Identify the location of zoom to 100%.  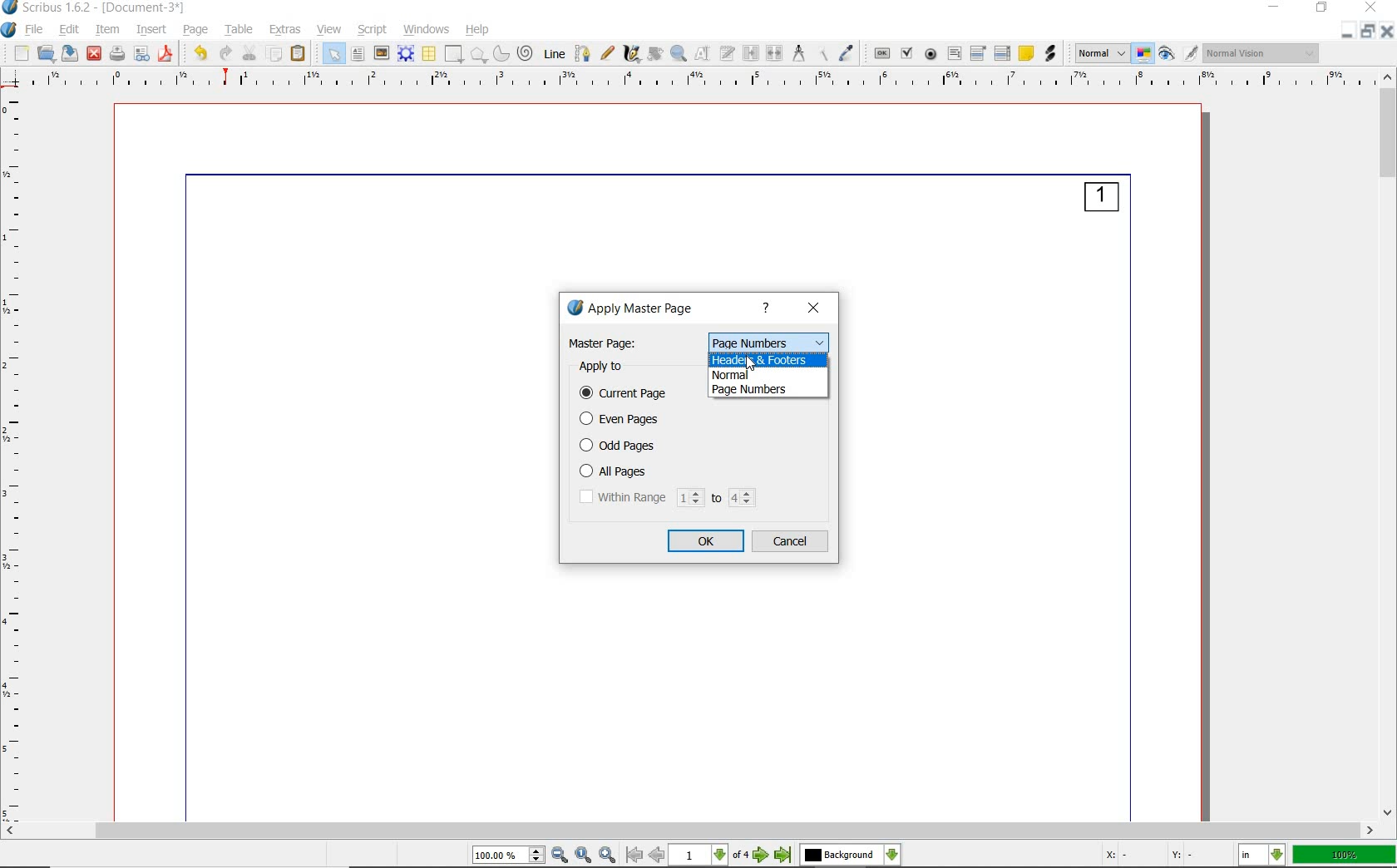
(585, 855).